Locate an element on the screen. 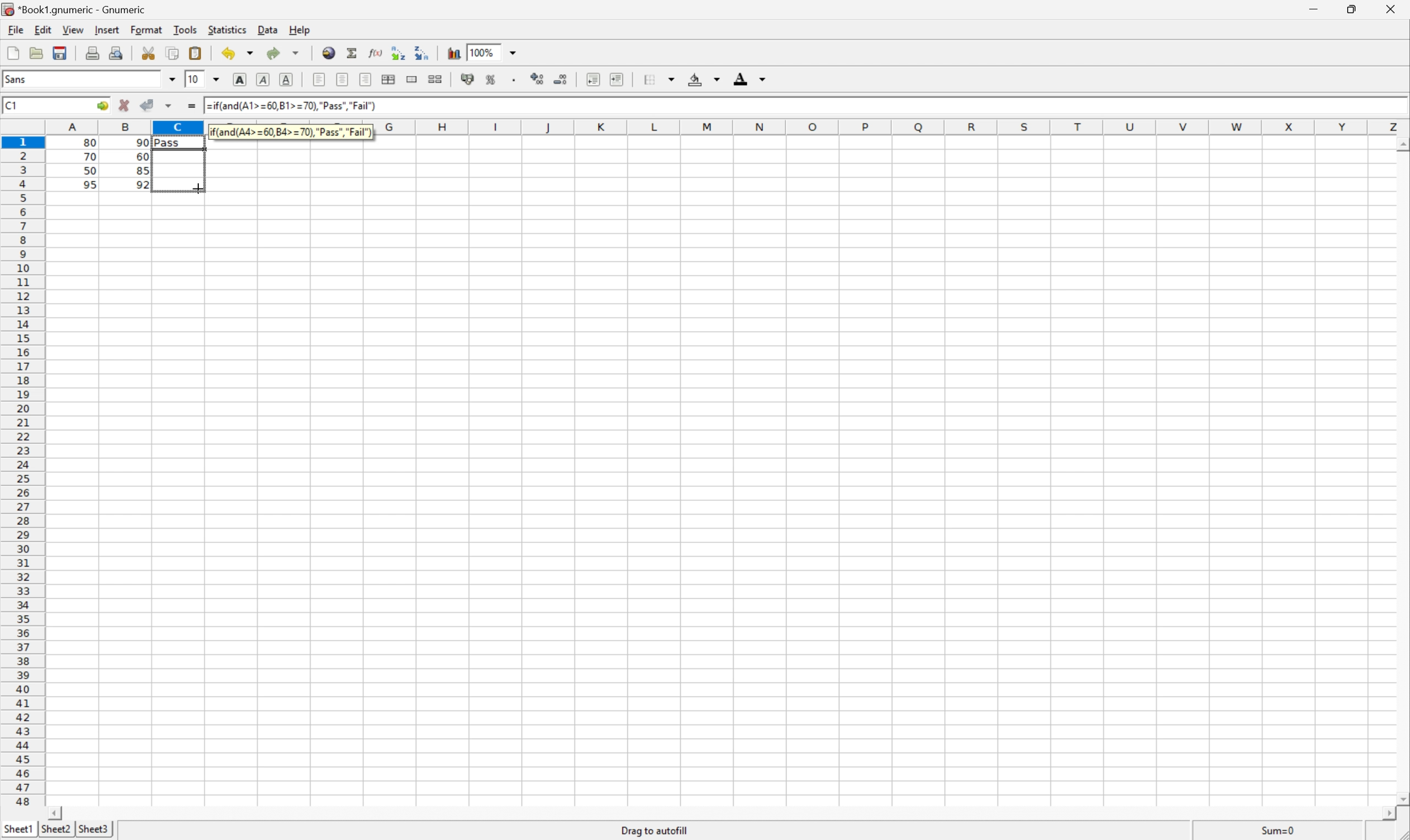  Increase indent, and align the contents to the left is located at coordinates (593, 78).